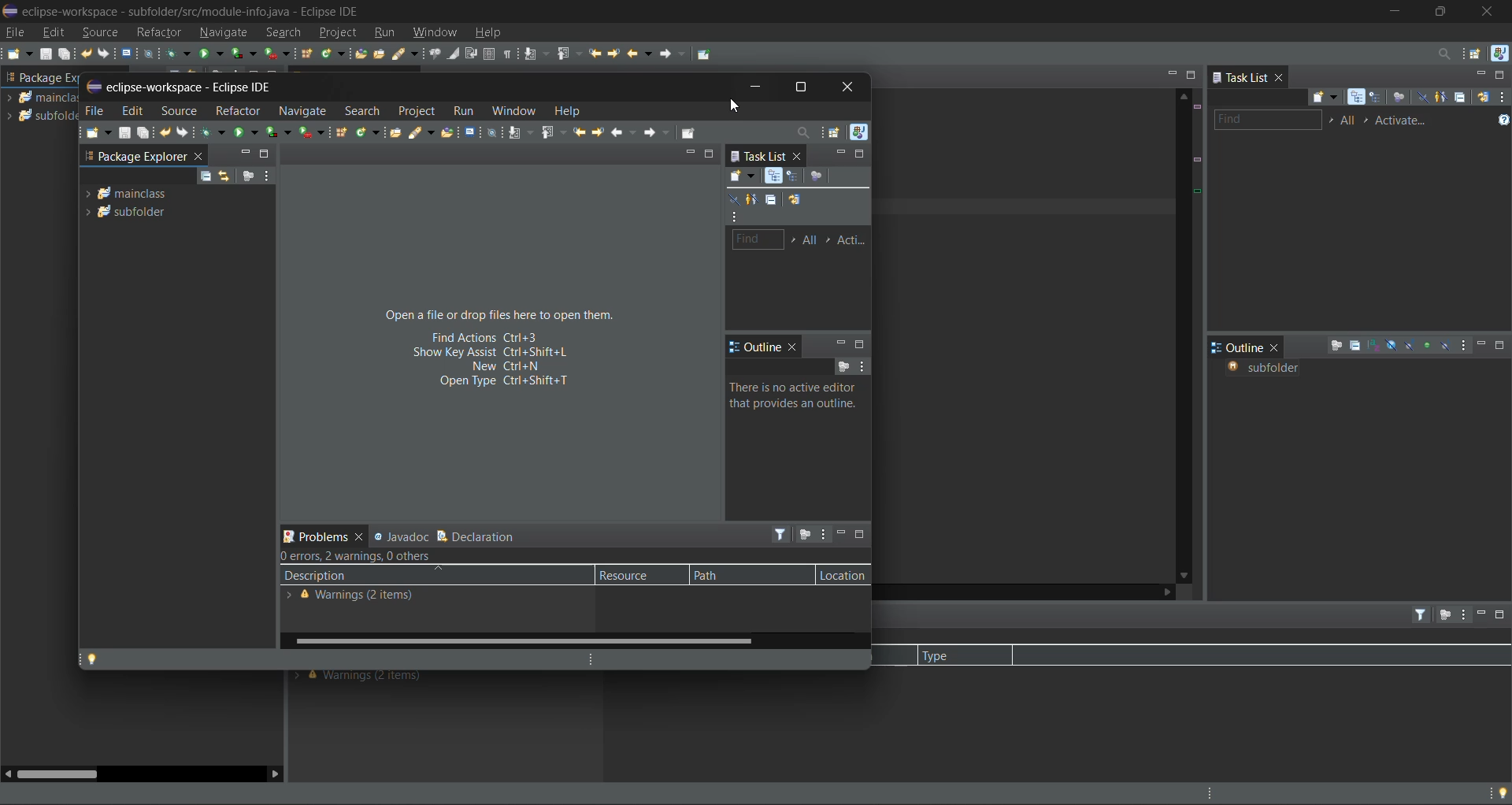 The image size is (1512, 805). Describe the element at coordinates (449, 134) in the screenshot. I see `open type` at that location.